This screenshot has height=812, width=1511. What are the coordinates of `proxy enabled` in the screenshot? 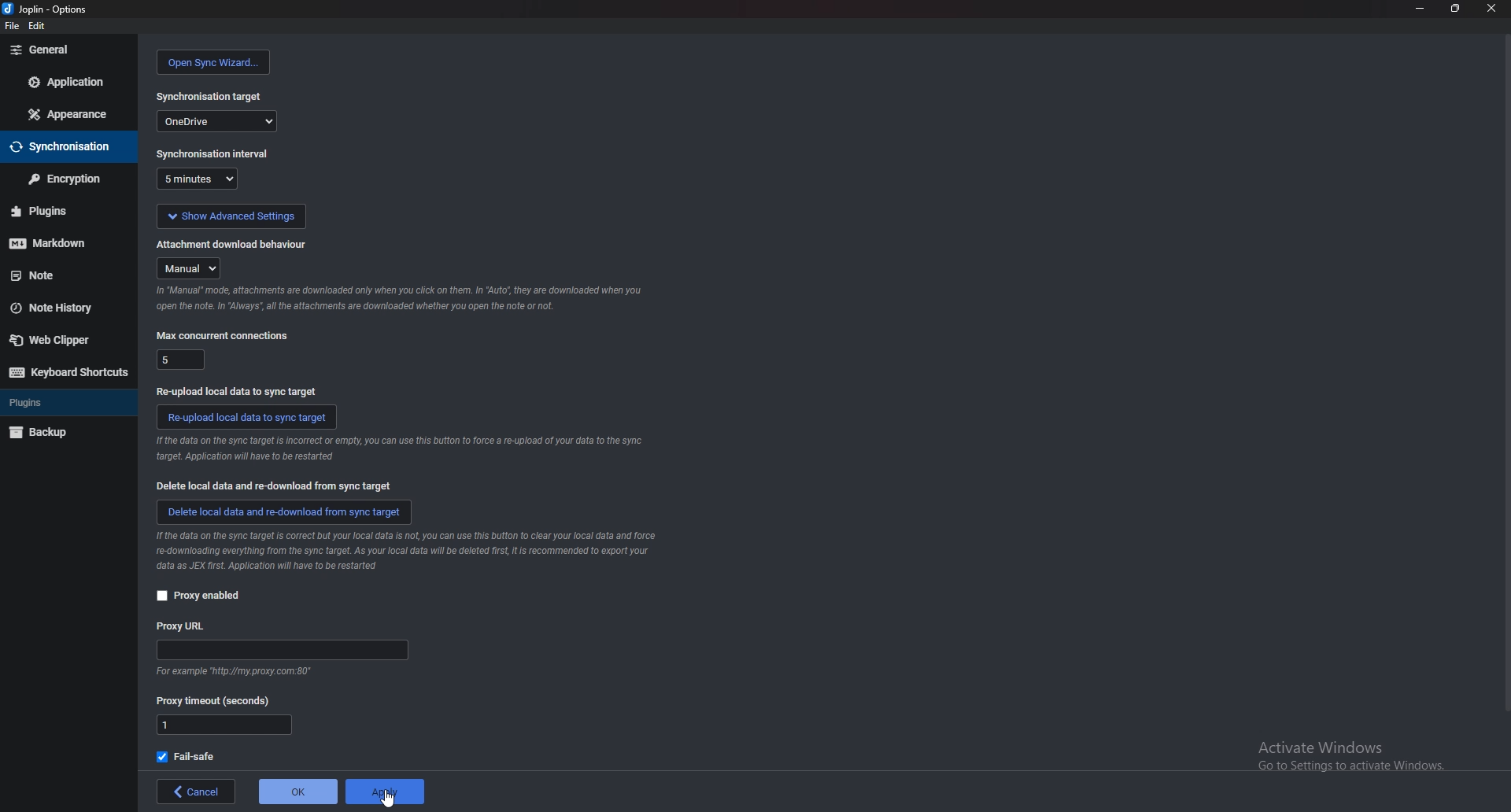 It's located at (205, 596).